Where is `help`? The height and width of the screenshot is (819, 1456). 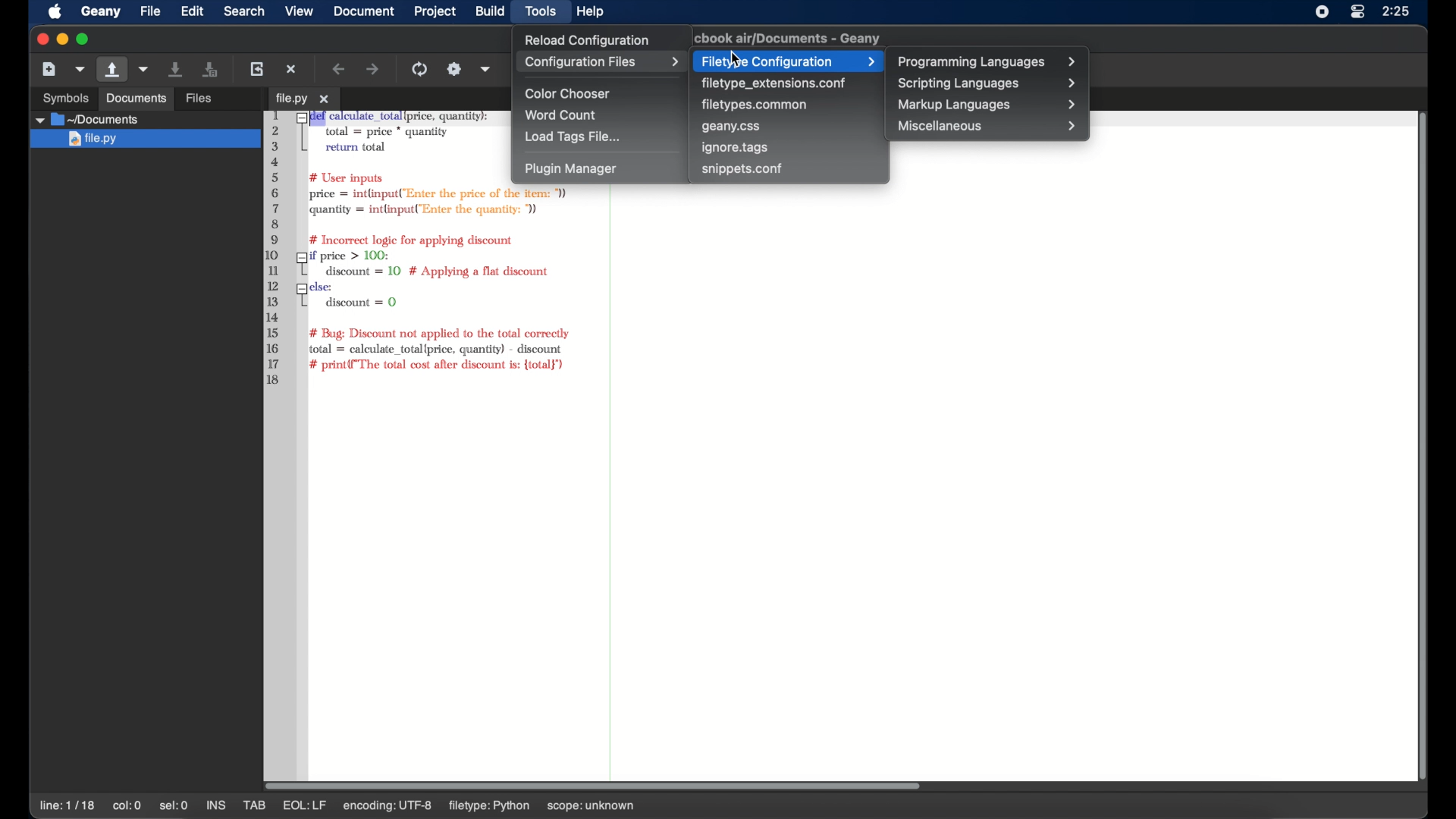 help is located at coordinates (591, 11).